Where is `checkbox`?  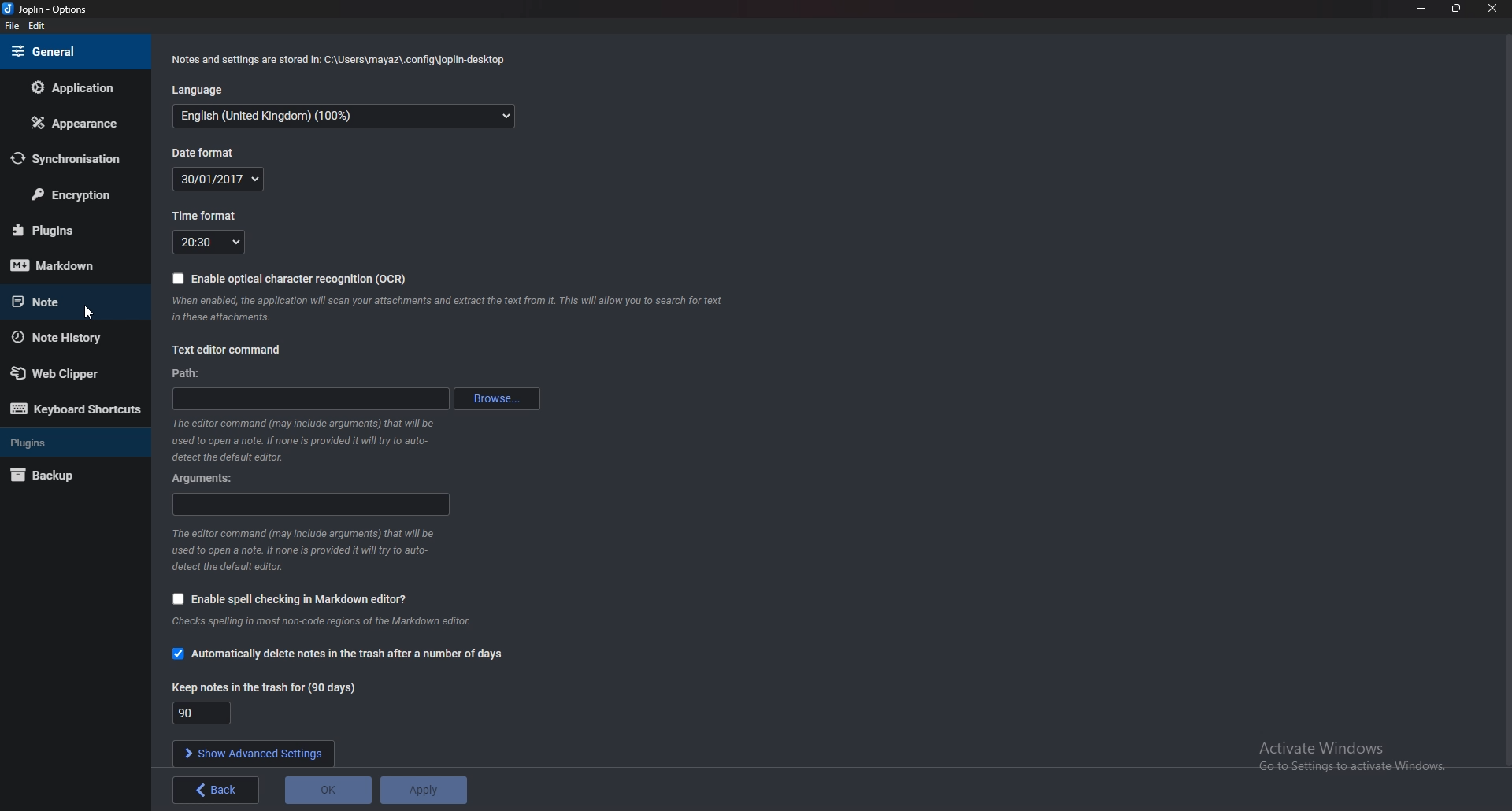 checkbox is located at coordinates (175, 599).